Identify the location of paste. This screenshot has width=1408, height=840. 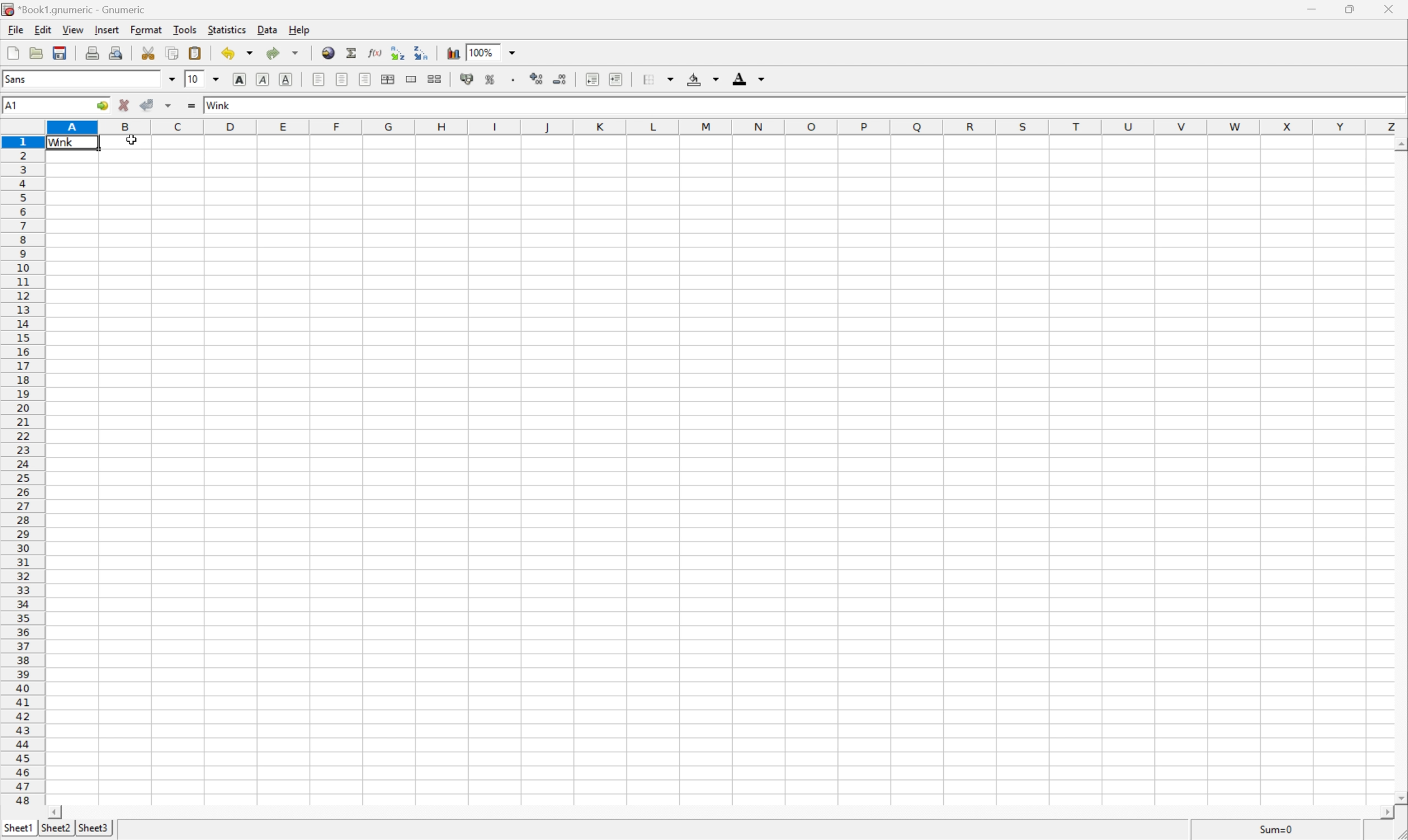
(196, 53).